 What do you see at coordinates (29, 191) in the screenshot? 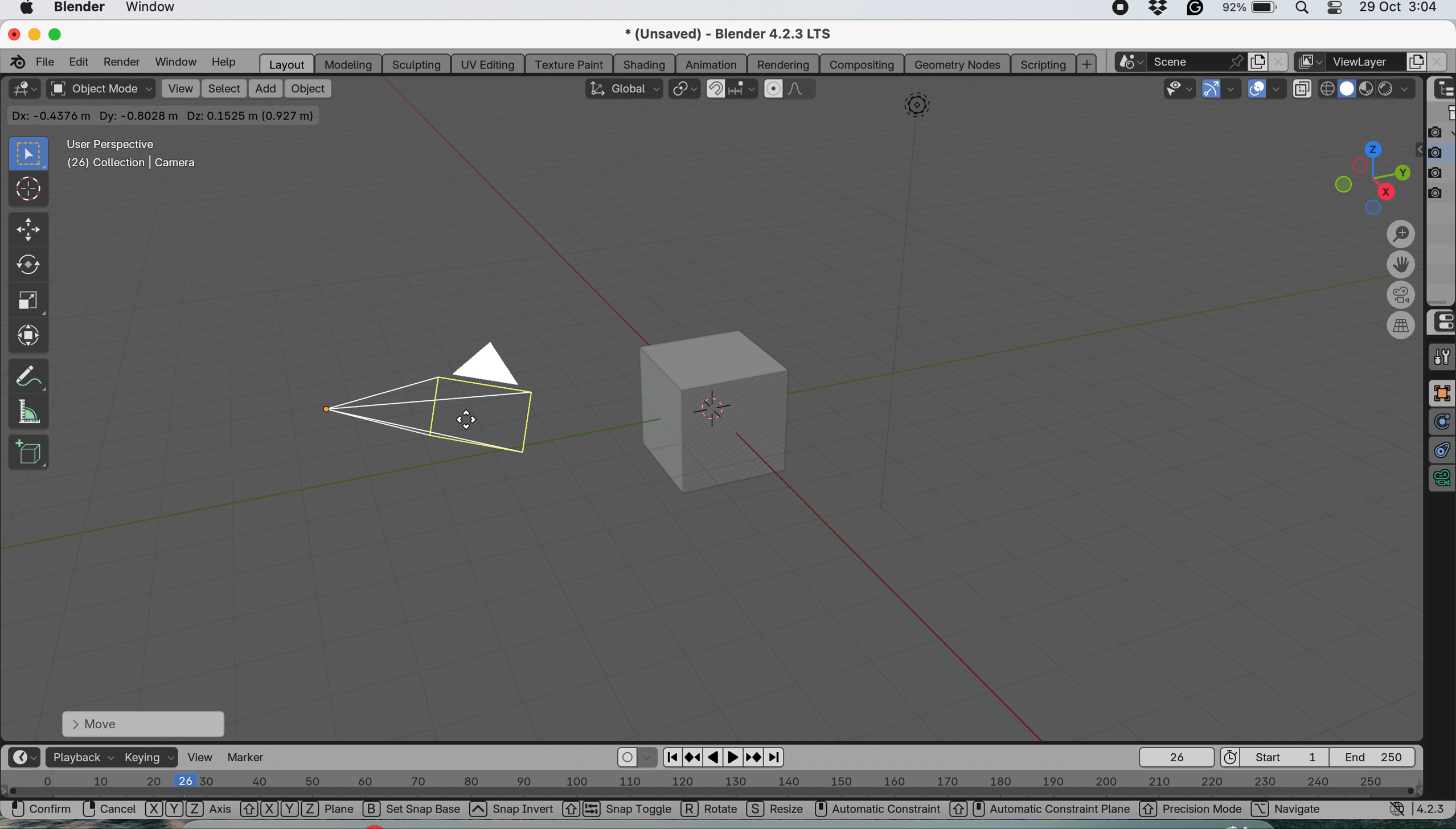
I see `cursor` at bounding box center [29, 191].